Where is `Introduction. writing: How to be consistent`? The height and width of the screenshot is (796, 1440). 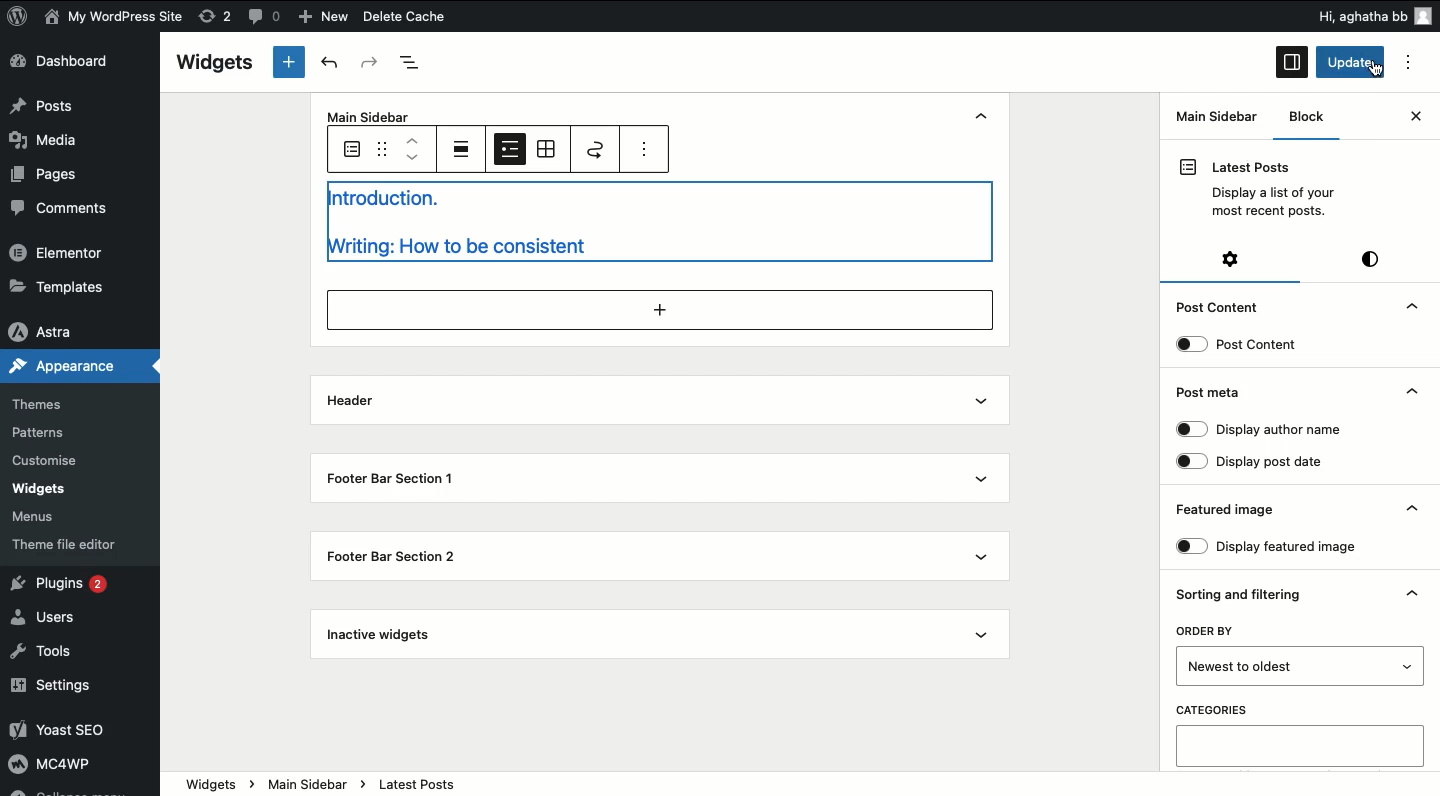
Introduction. writing: How to be consistent is located at coordinates (630, 220).